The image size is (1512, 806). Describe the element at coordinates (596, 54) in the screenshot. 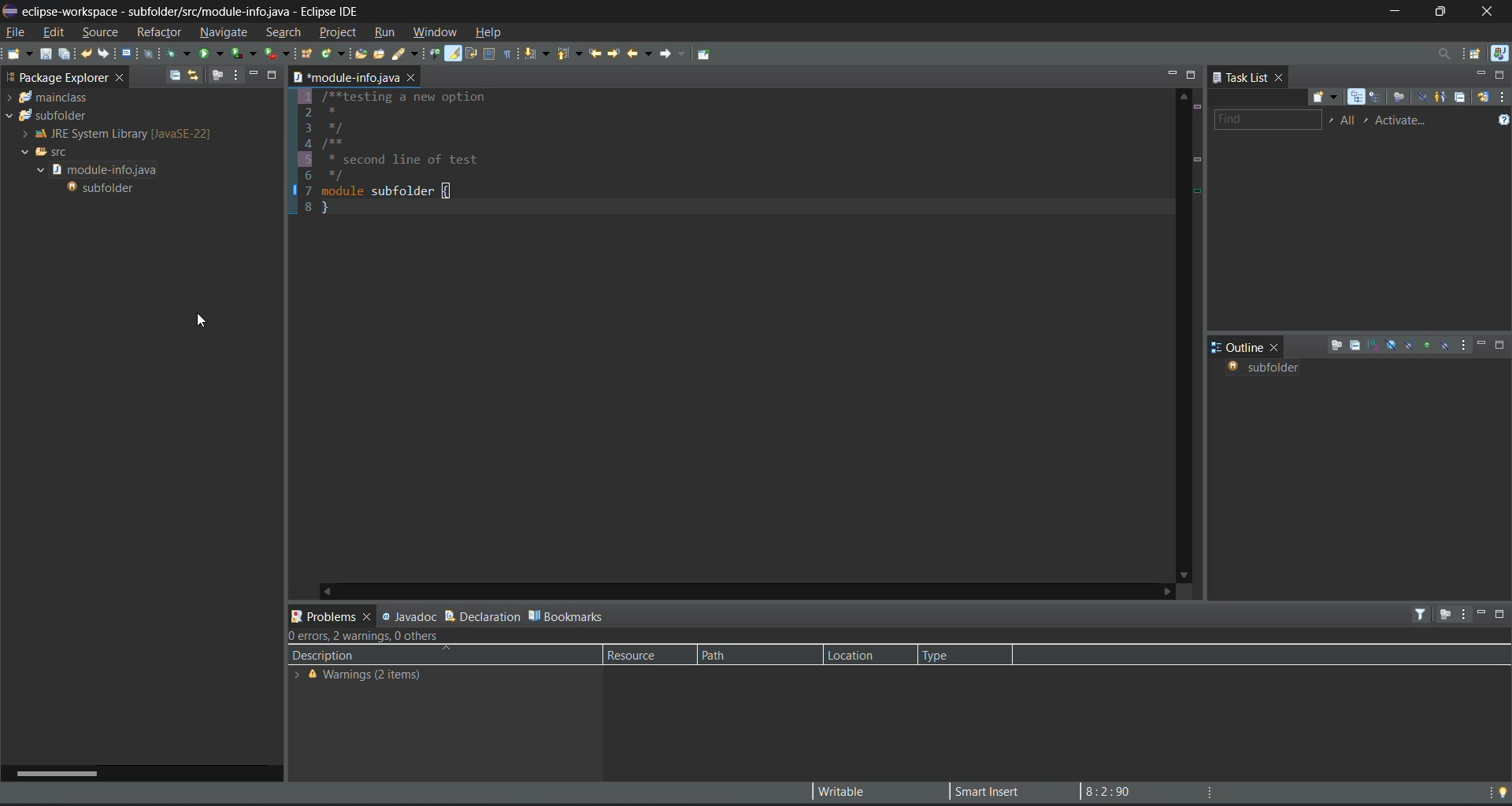

I see `previous edit location` at that location.